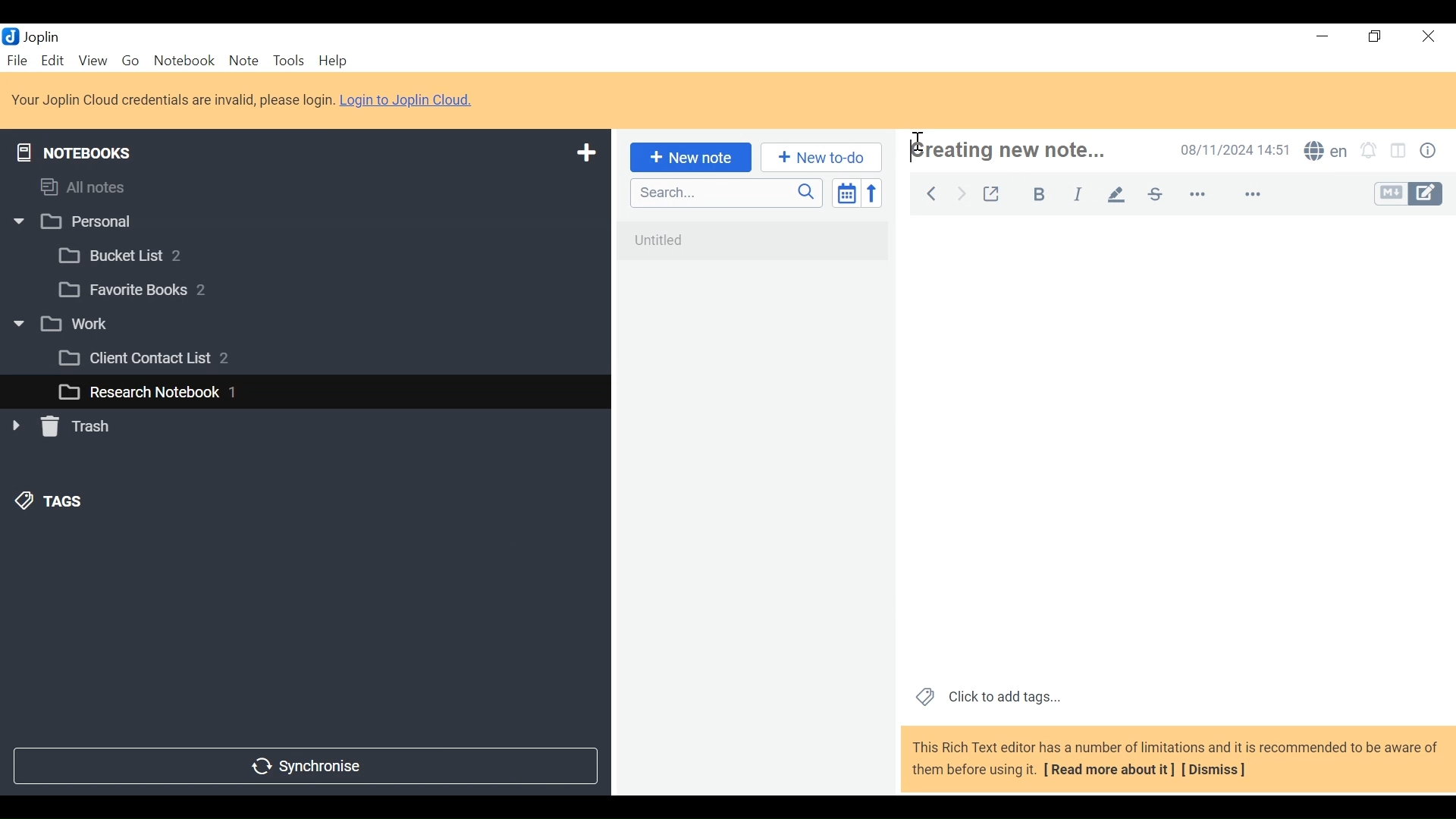  What do you see at coordinates (243, 60) in the screenshot?
I see `Note` at bounding box center [243, 60].